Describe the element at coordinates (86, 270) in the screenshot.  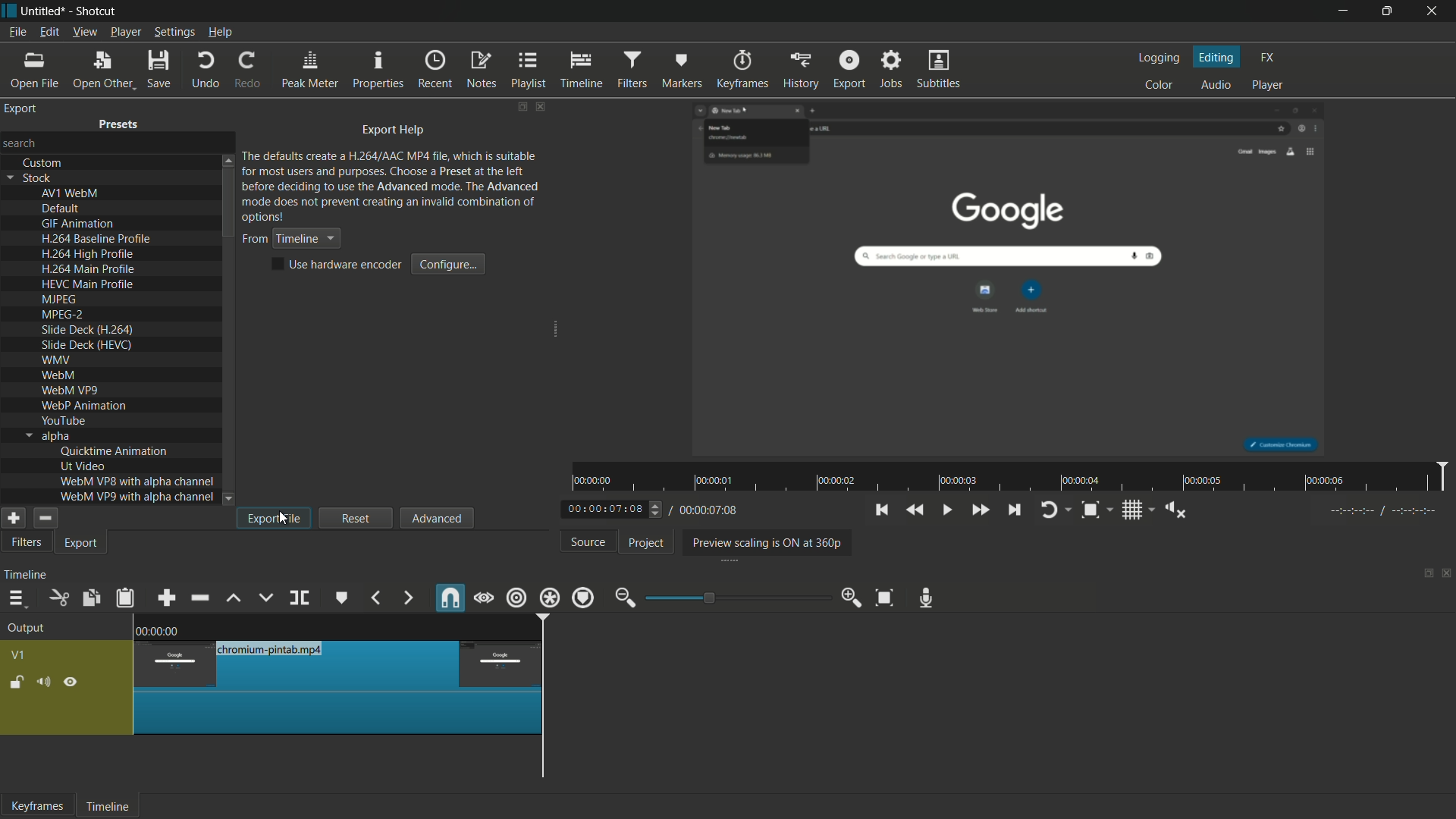
I see `h.264 main profile` at that location.